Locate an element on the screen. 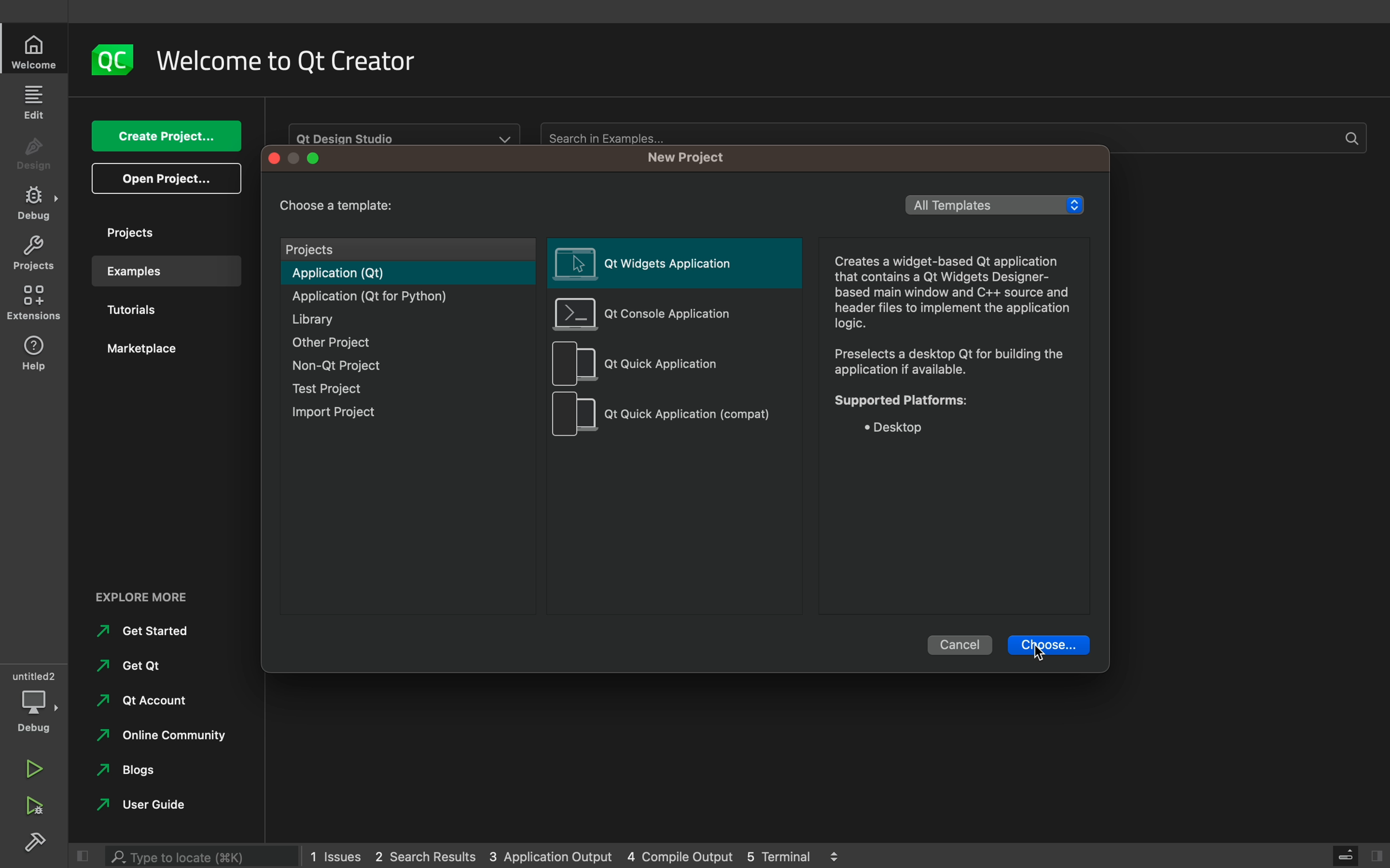  extensions is located at coordinates (36, 303).